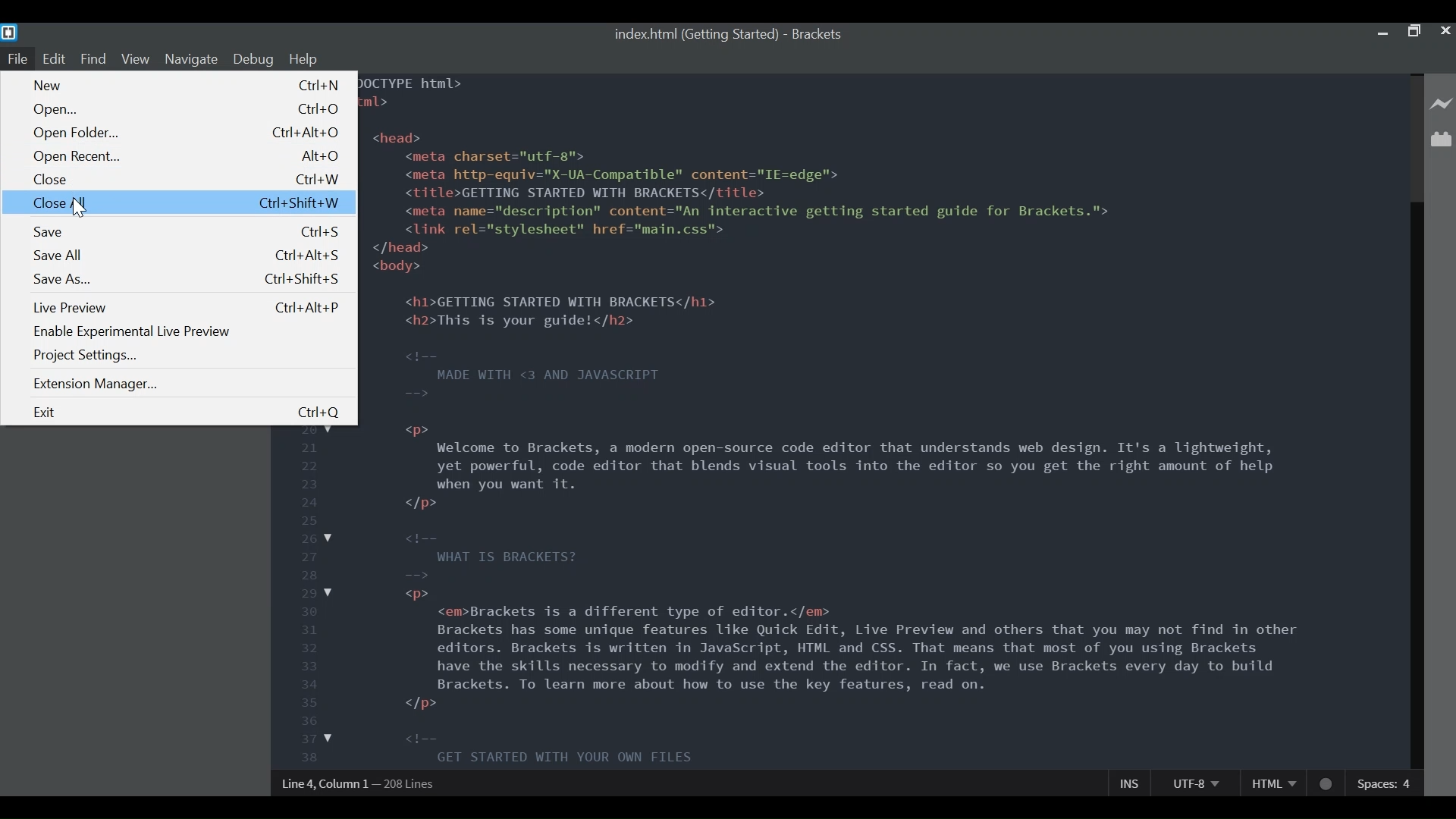 Image resolution: width=1456 pixels, height=819 pixels. Describe the element at coordinates (56, 58) in the screenshot. I see `Edit` at that location.